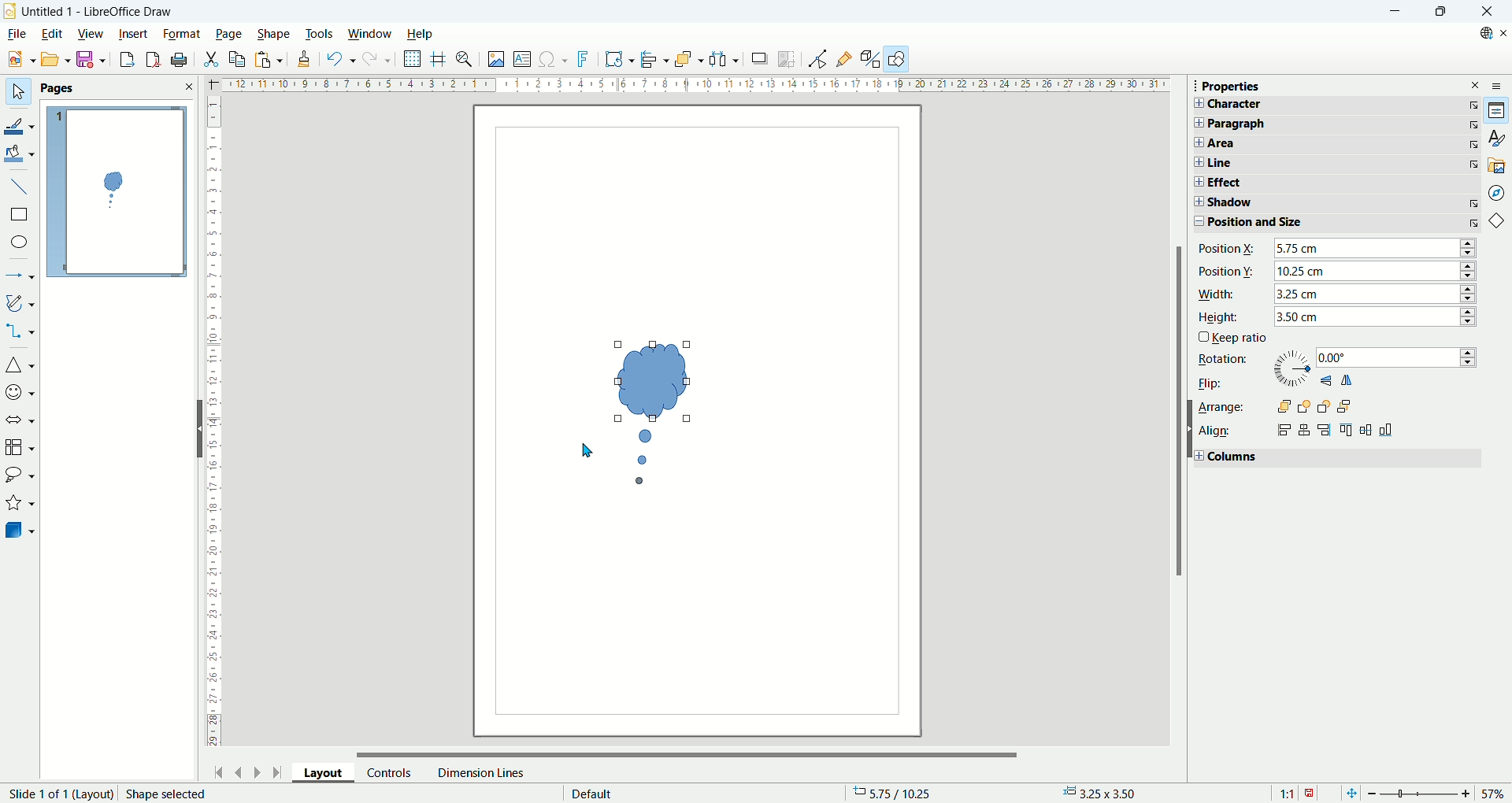 The height and width of the screenshot is (803, 1512). I want to click on Shadow, so click(1277, 204).